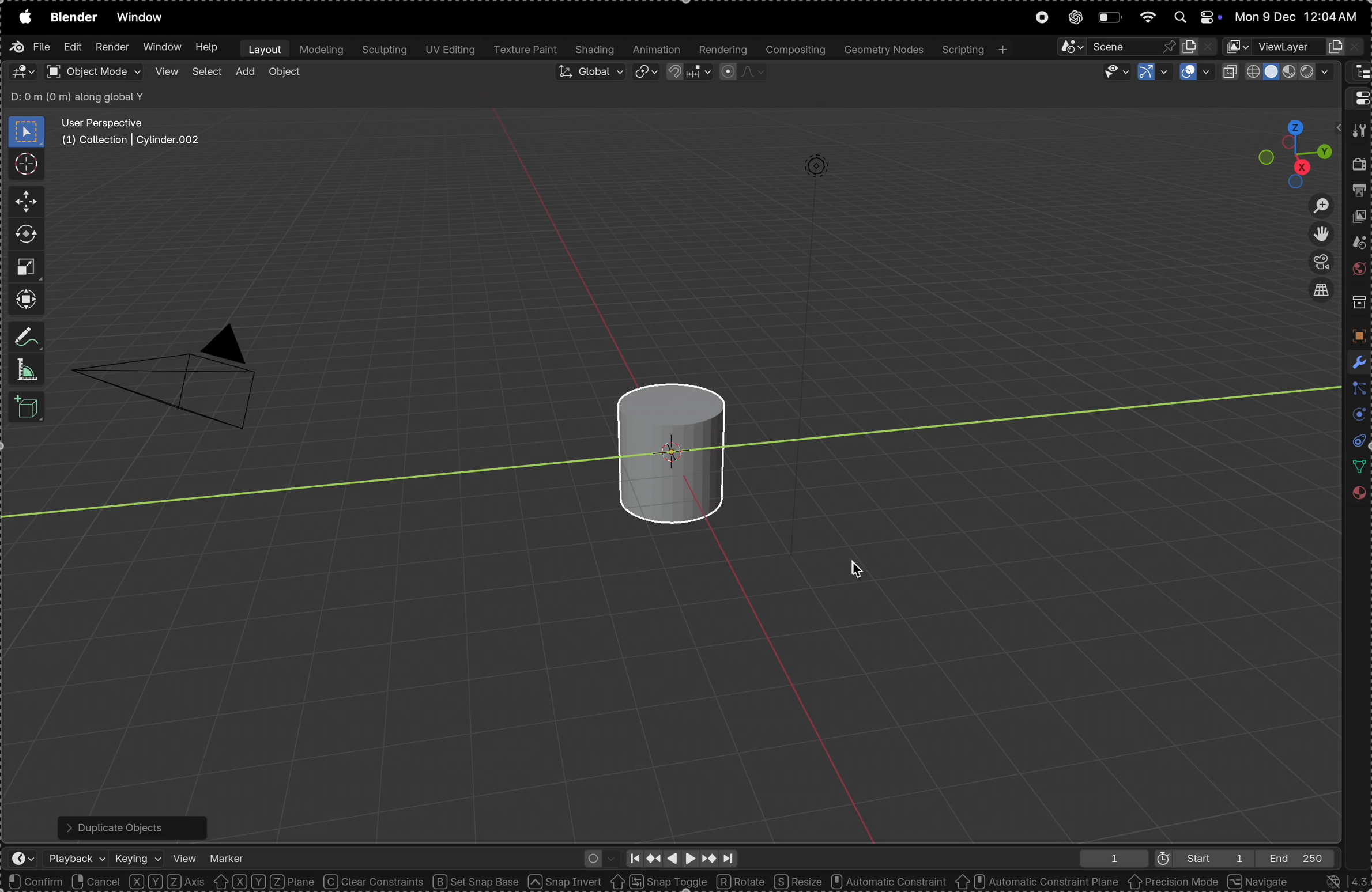 The width and height of the screenshot is (1372, 892). I want to click on view, so click(184, 856).